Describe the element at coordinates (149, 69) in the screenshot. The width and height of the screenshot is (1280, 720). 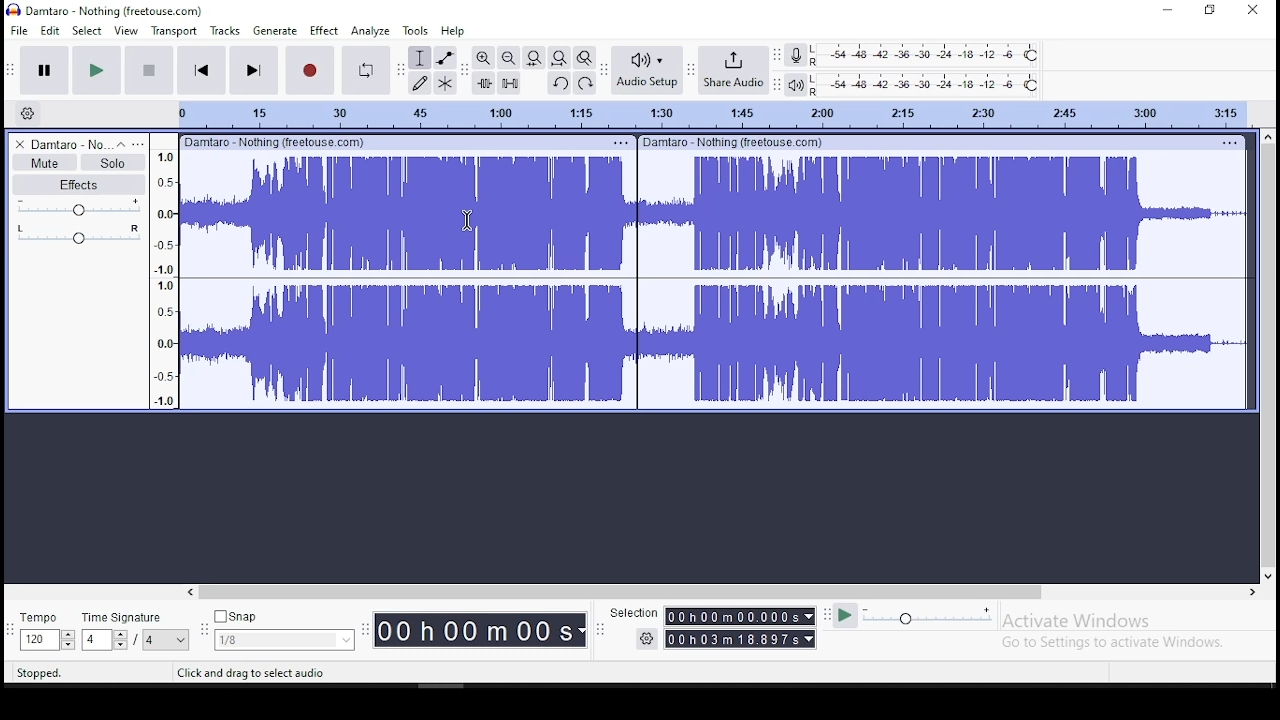
I see `stop` at that location.